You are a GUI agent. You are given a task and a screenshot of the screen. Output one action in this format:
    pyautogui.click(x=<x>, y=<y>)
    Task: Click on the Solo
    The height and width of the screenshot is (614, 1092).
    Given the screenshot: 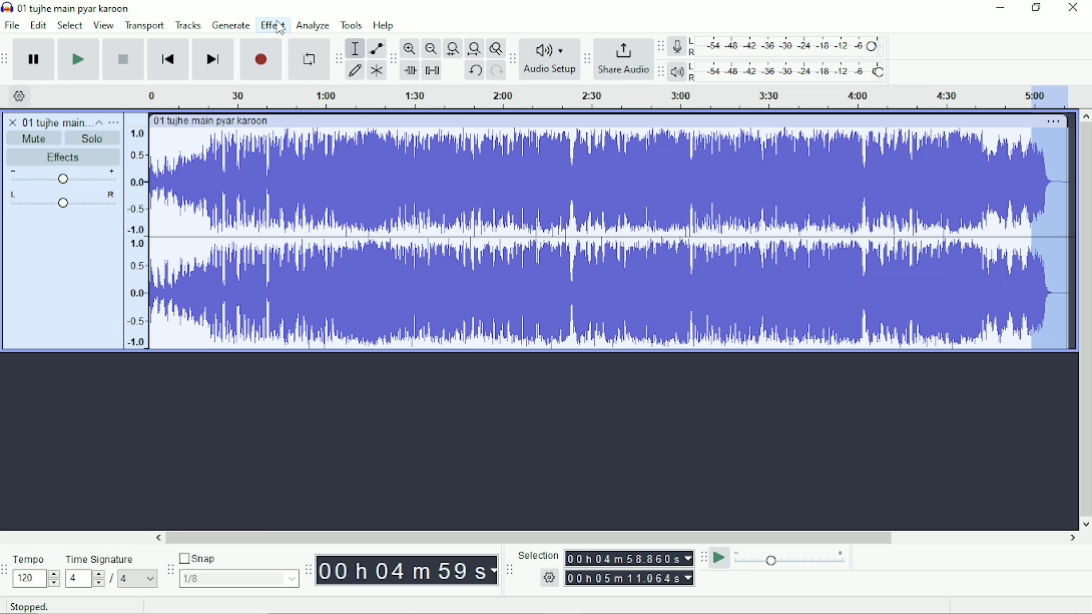 What is the action you would take?
    pyautogui.click(x=93, y=139)
    